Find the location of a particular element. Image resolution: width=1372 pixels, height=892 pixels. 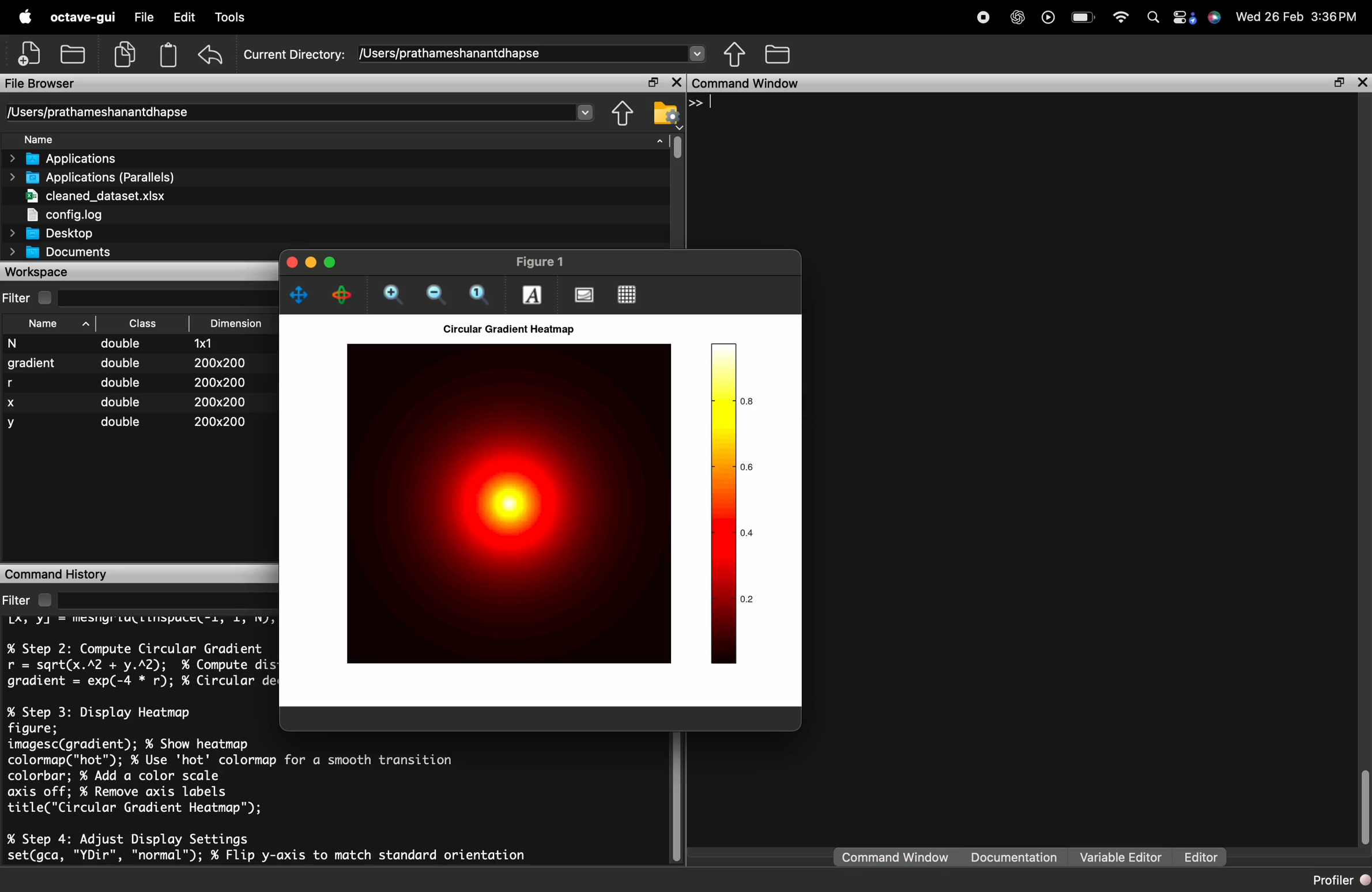

x is located at coordinates (14, 404).